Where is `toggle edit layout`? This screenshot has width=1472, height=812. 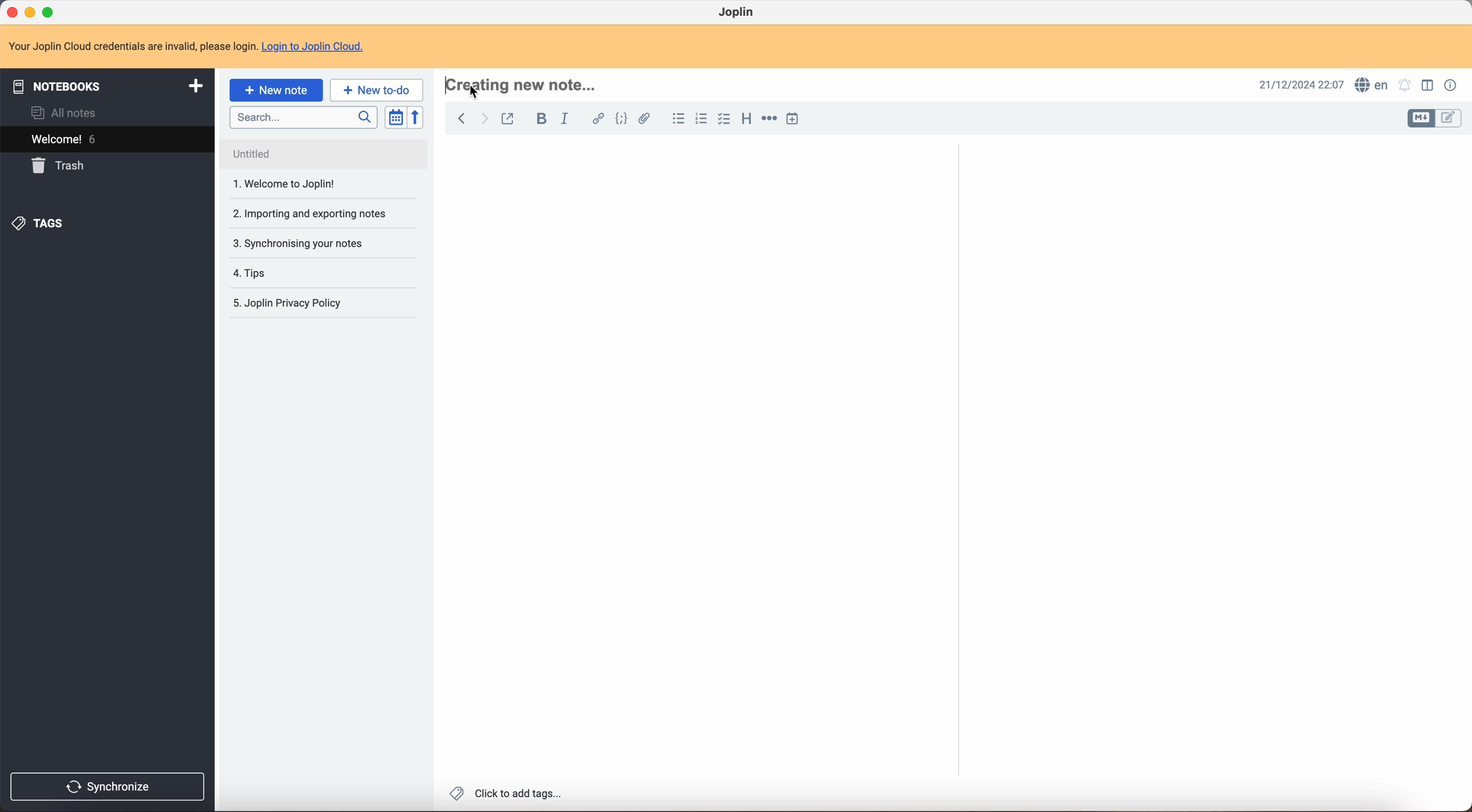 toggle edit layout is located at coordinates (1449, 119).